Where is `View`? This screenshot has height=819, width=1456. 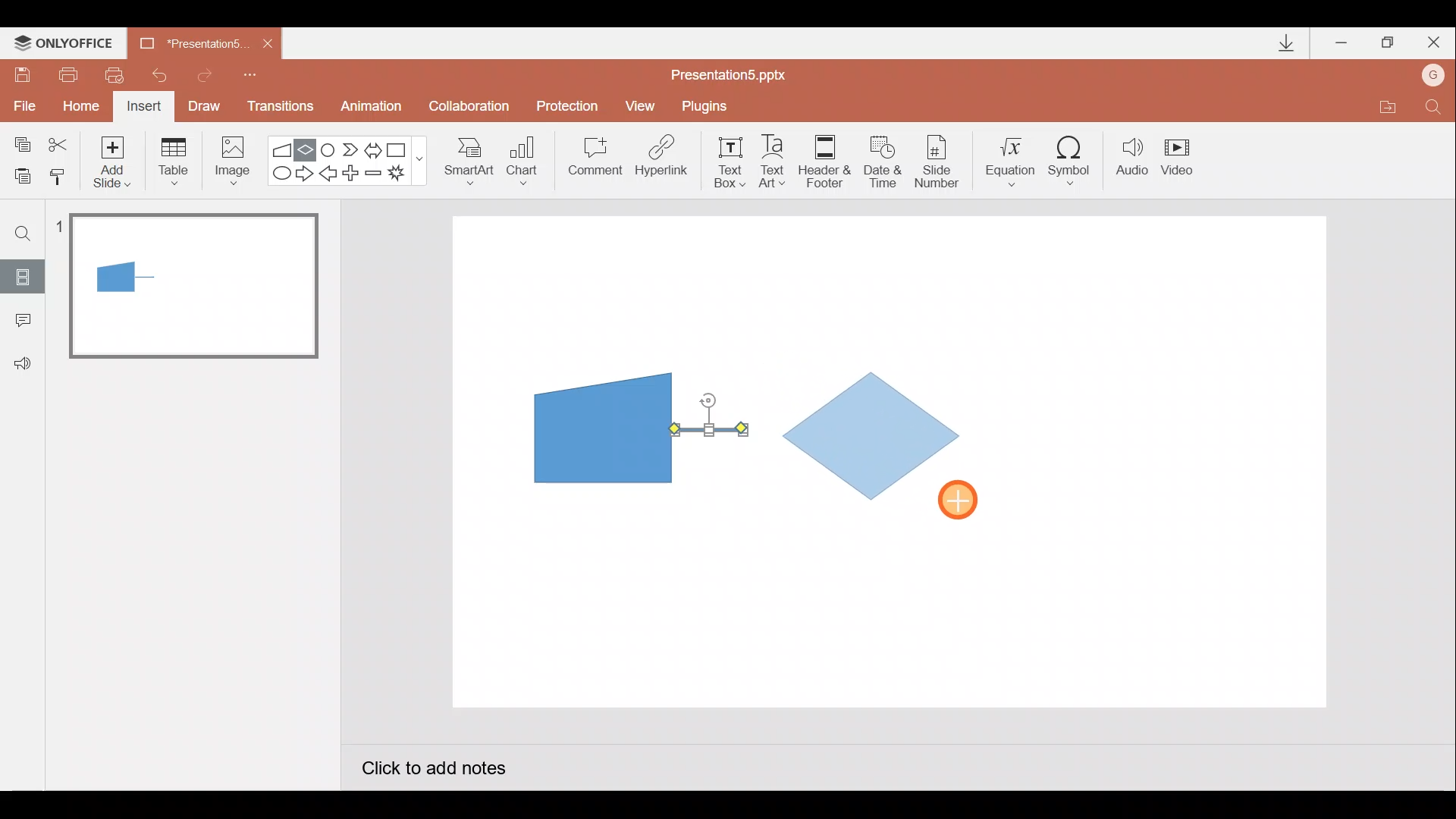 View is located at coordinates (642, 105).